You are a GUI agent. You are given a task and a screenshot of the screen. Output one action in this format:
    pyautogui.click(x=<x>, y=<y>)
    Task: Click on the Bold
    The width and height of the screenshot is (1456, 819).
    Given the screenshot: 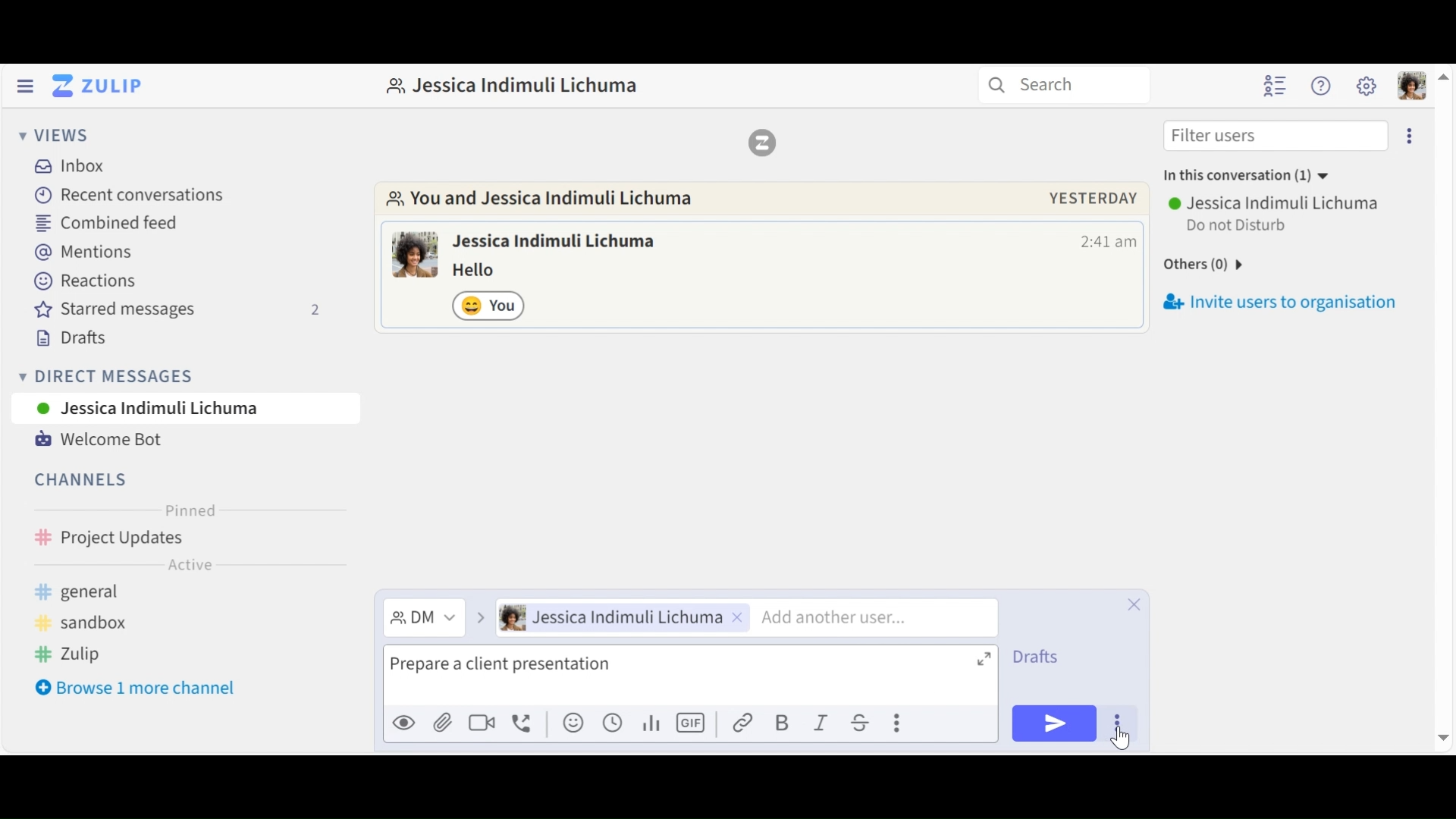 What is the action you would take?
    pyautogui.click(x=783, y=723)
    